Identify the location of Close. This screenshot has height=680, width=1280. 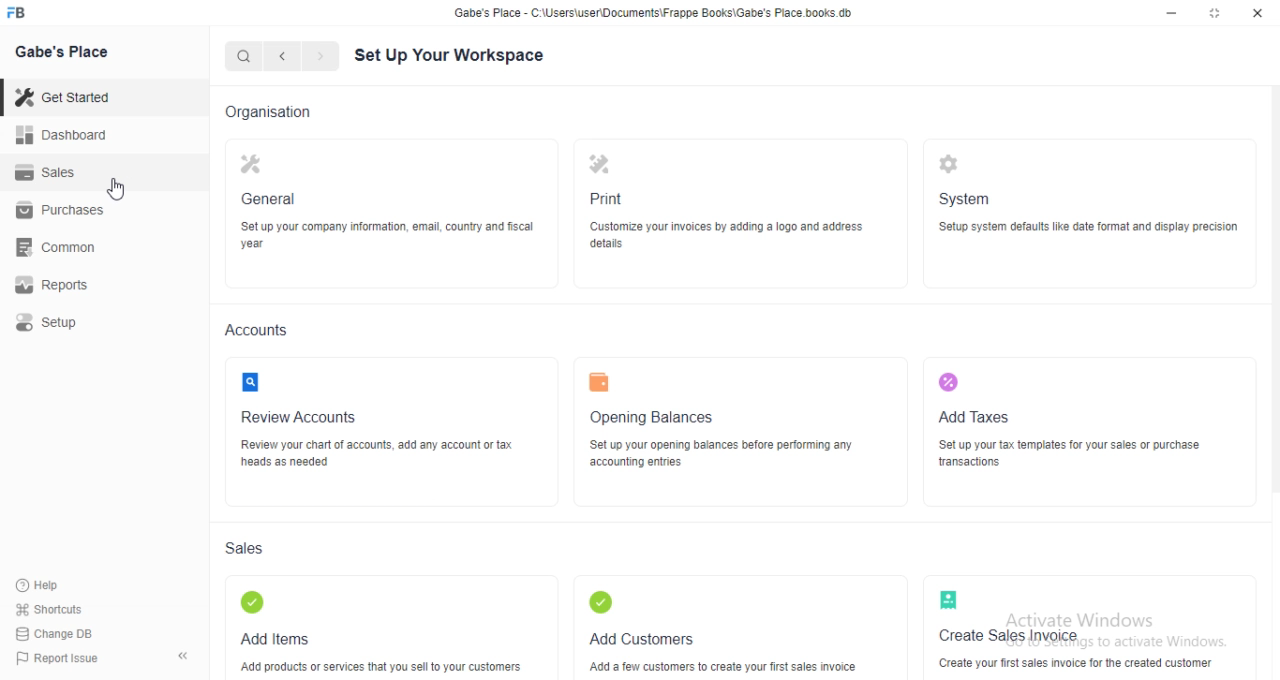
(1257, 14).